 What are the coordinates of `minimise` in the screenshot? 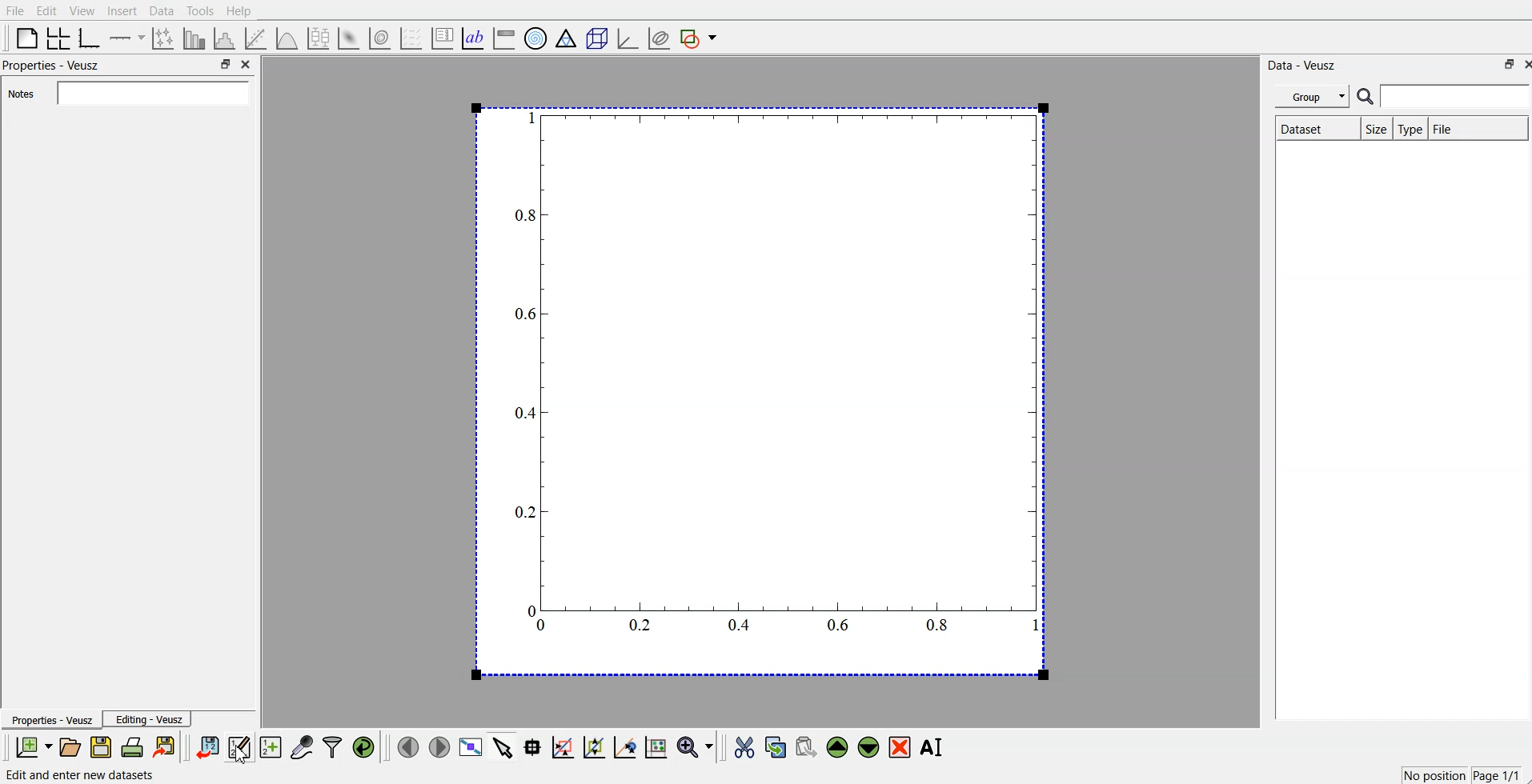 It's located at (225, 62).